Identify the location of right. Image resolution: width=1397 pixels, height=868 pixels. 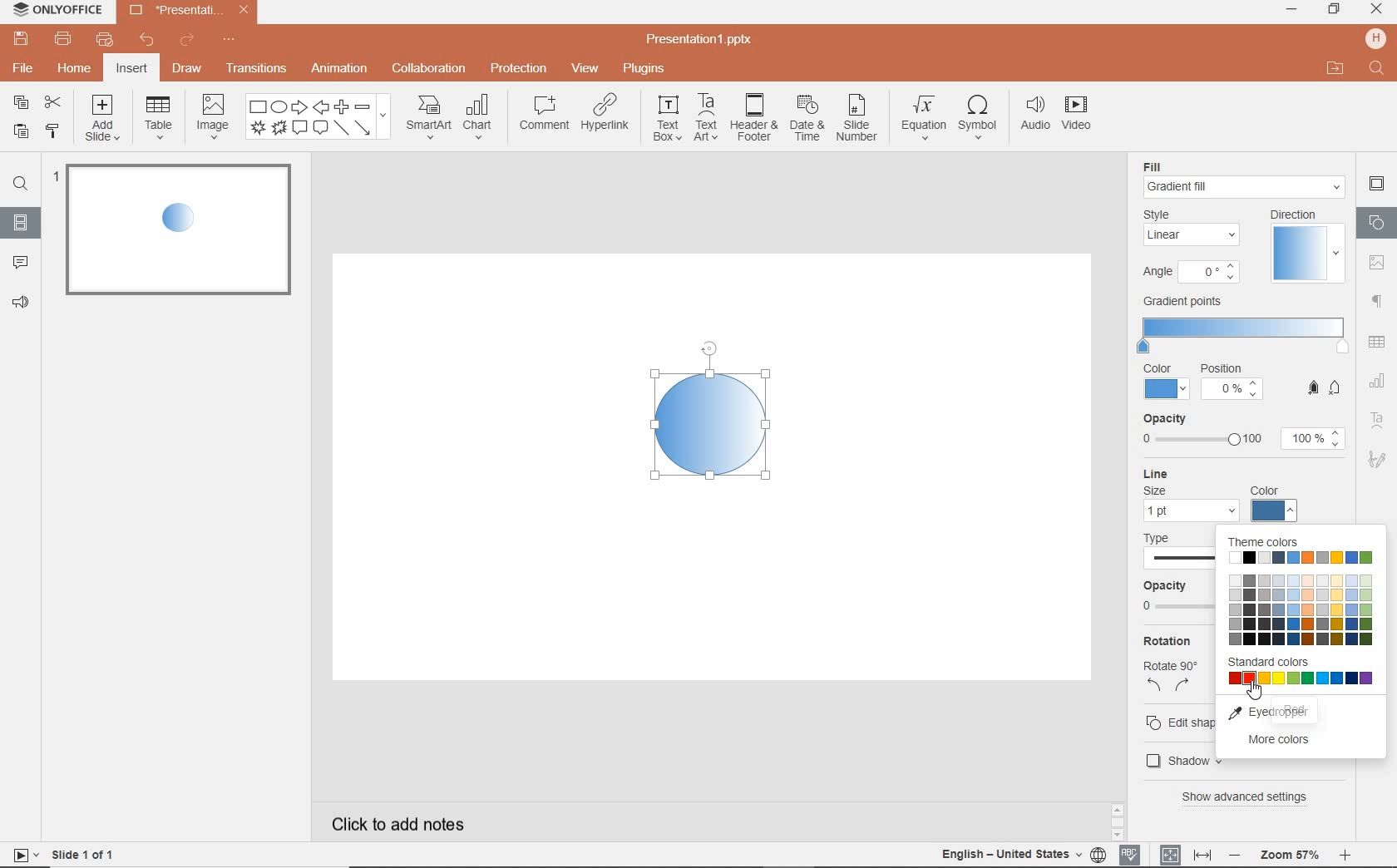
(1182, 688).